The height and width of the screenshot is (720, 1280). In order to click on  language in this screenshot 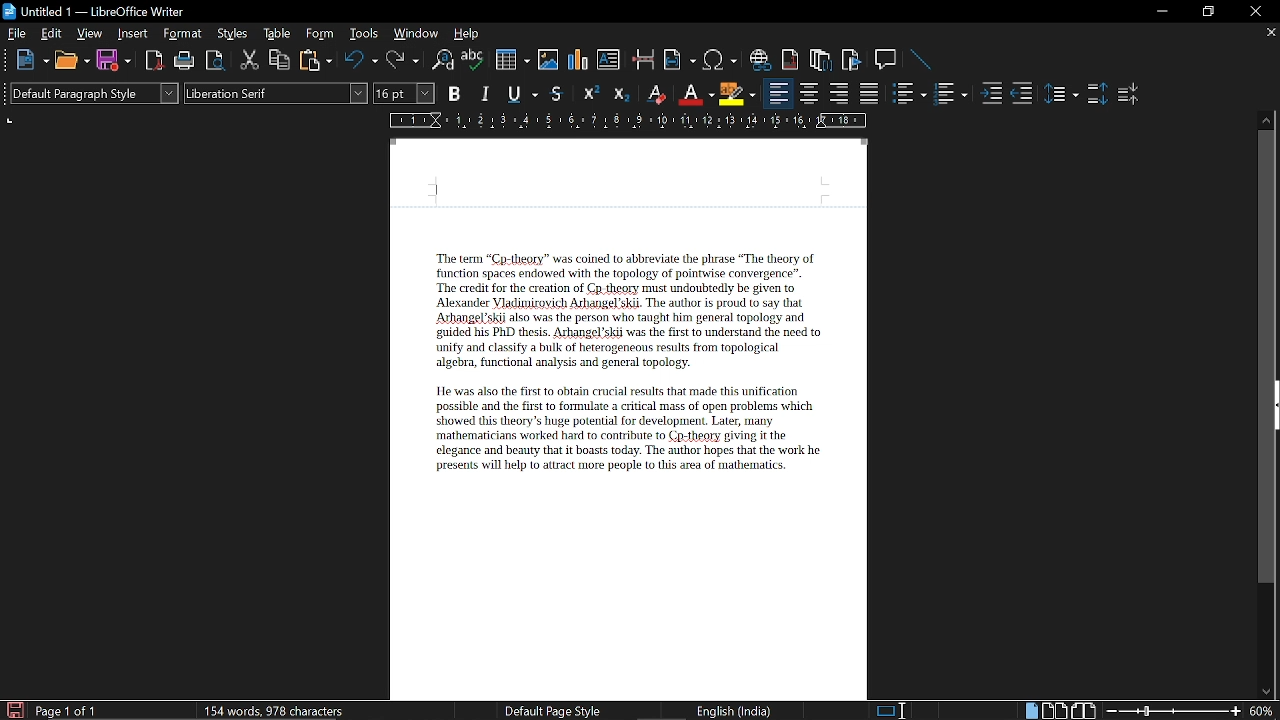, I will do `click(736, 711)`.